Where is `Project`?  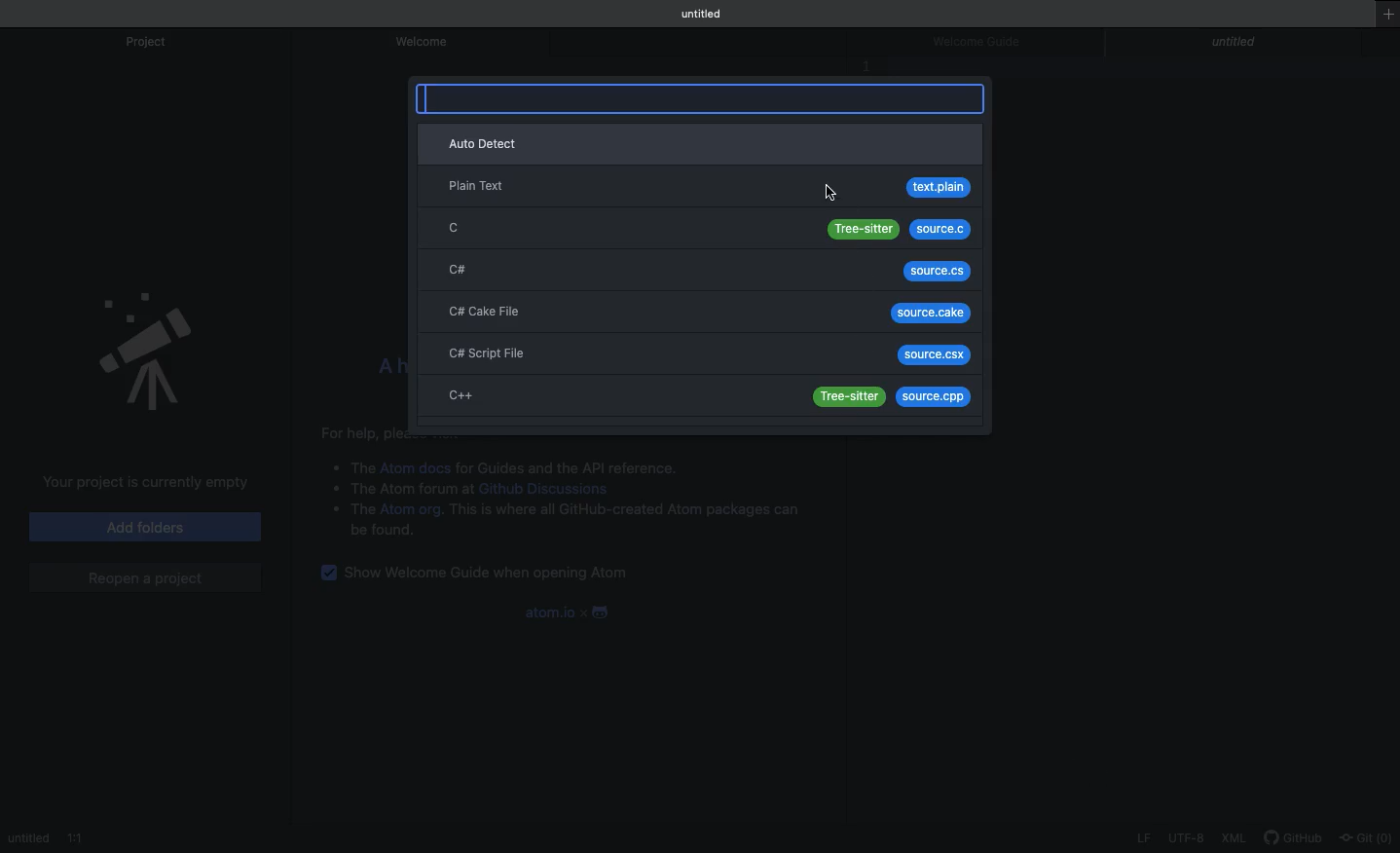
Project is located at coordinates (146, 352).